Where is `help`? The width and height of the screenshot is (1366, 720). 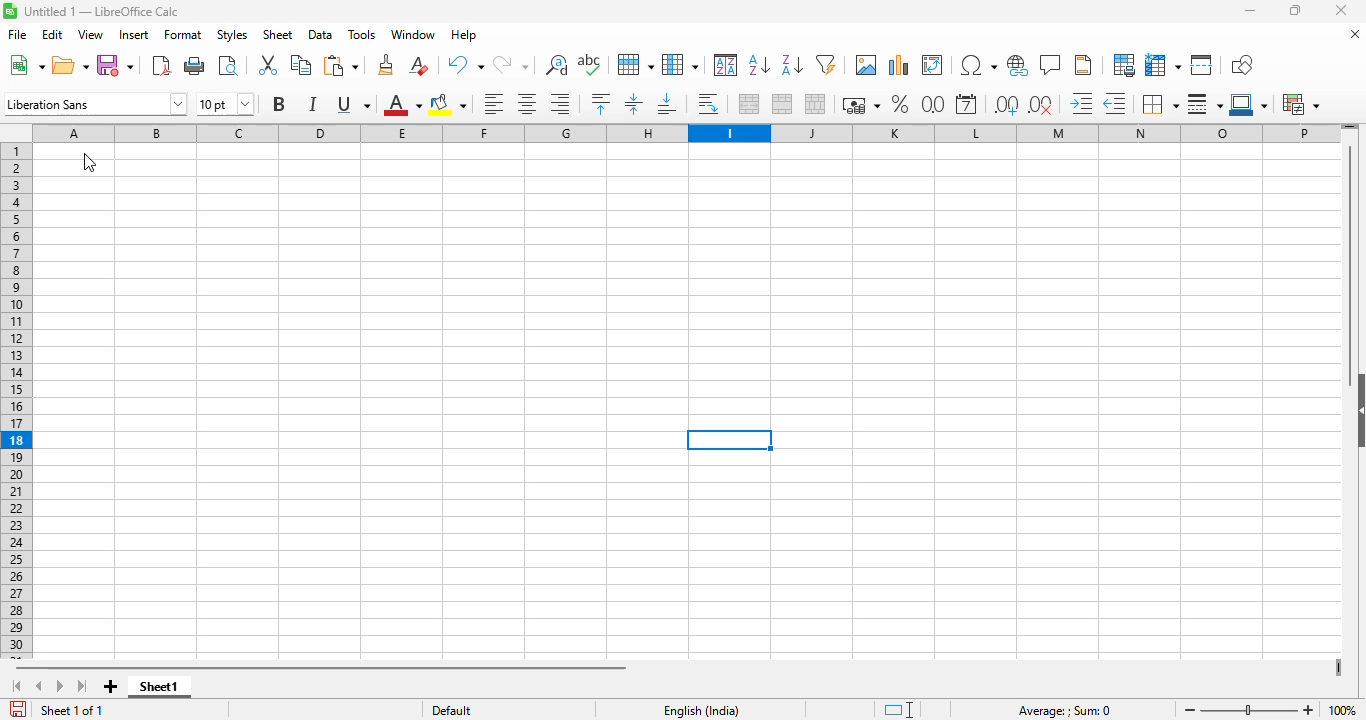
help is located at coordinates (464, 35).